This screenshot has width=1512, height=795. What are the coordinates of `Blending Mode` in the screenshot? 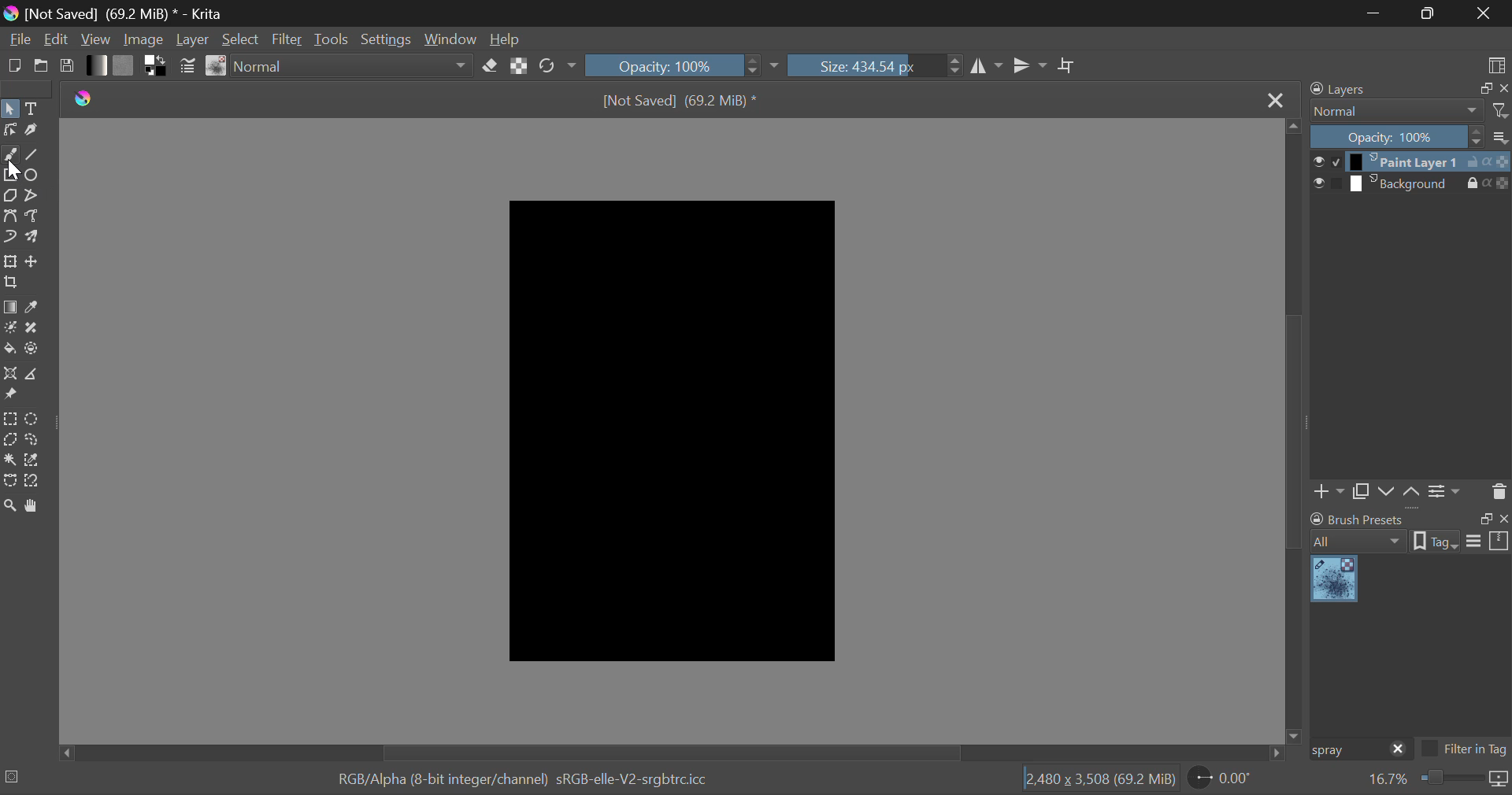 It's located at (354, 66).